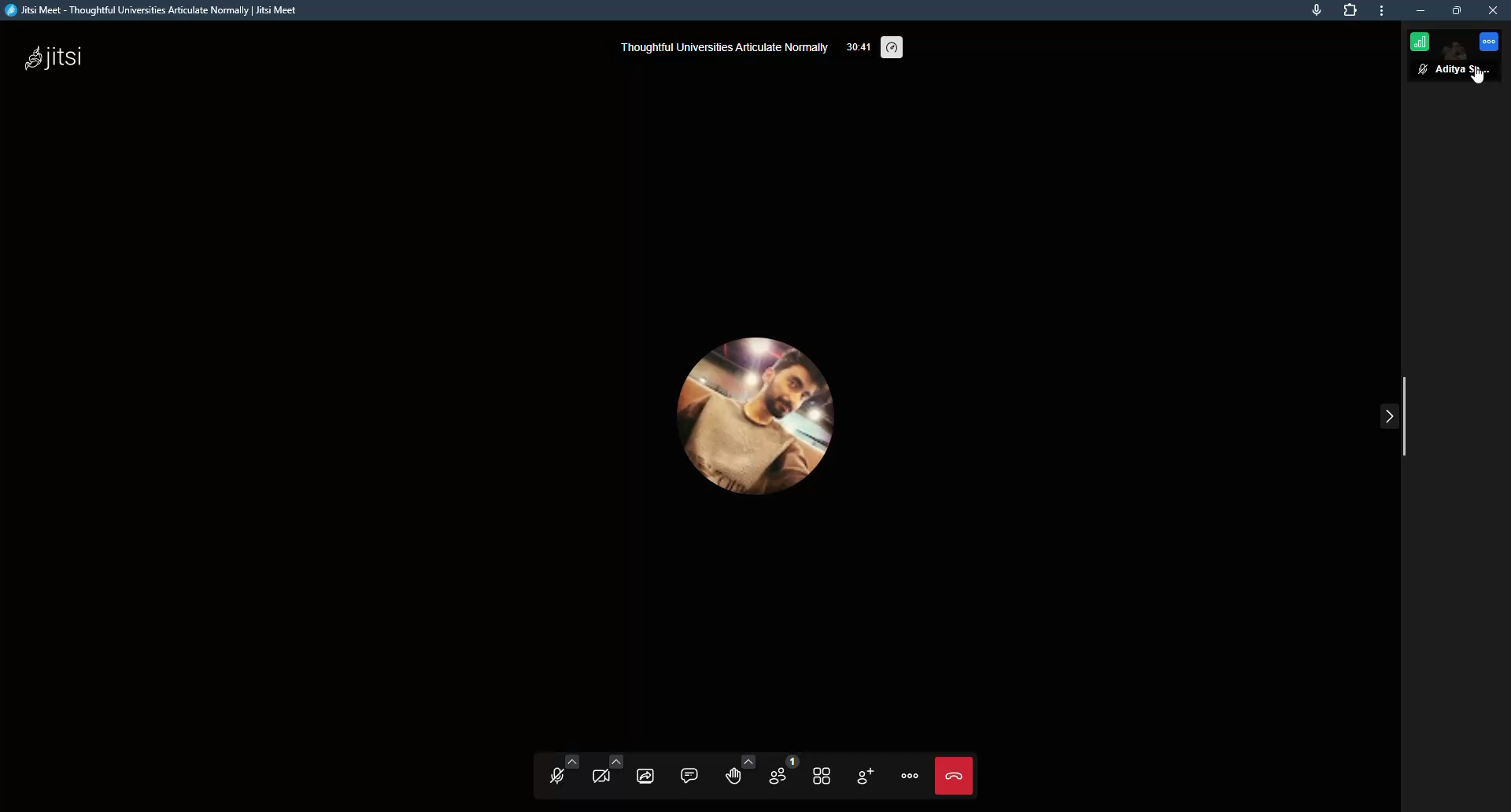  What do you see at coordinates (1457, 12) in the screenshot?
I see `maximize` at bounding box center [1457, 12].